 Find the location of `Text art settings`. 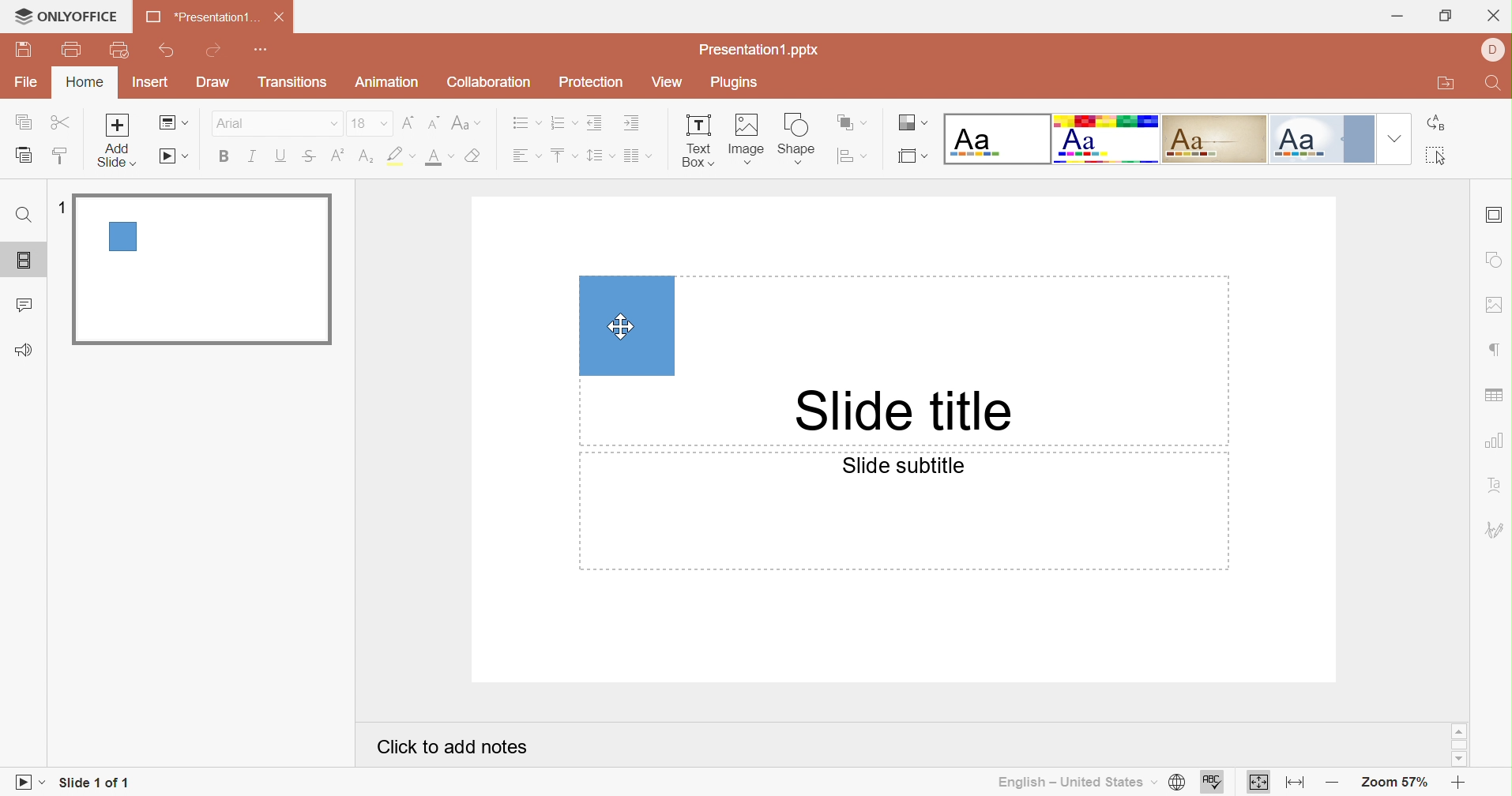

Text art settings is located at coordinates (1496, 484).